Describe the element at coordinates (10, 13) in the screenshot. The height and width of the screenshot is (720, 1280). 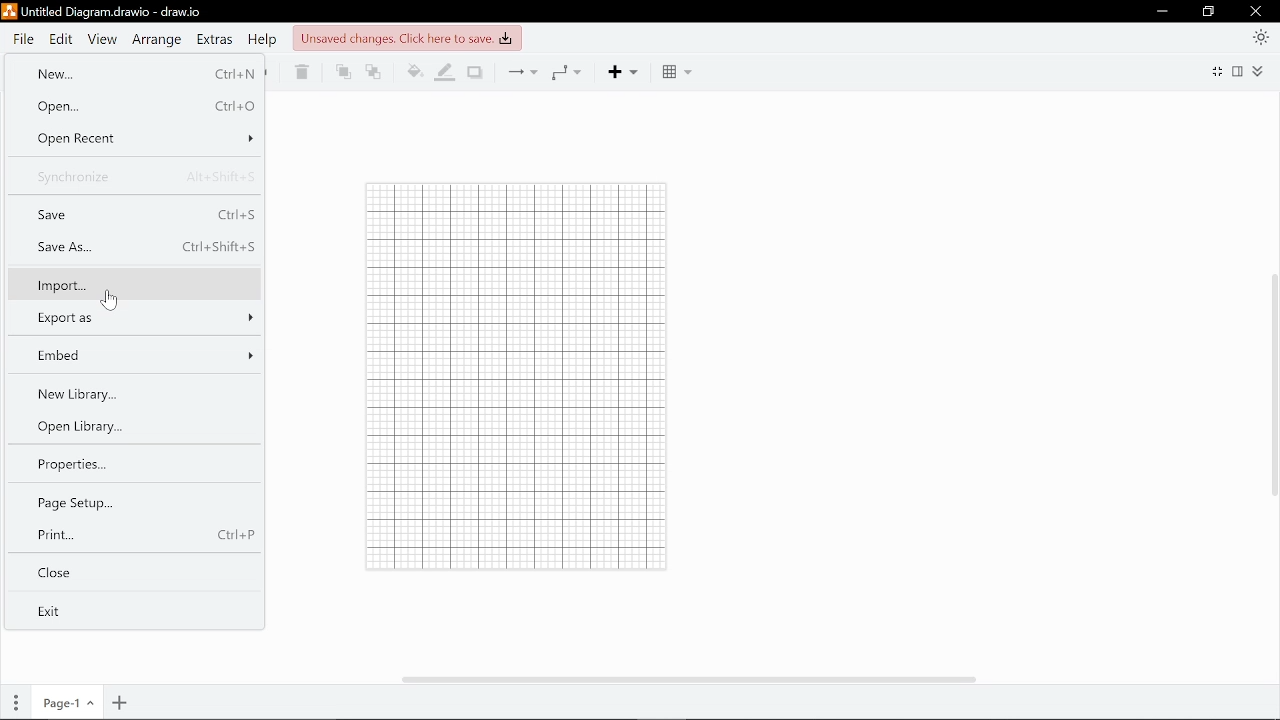
I see `logo` at that location.